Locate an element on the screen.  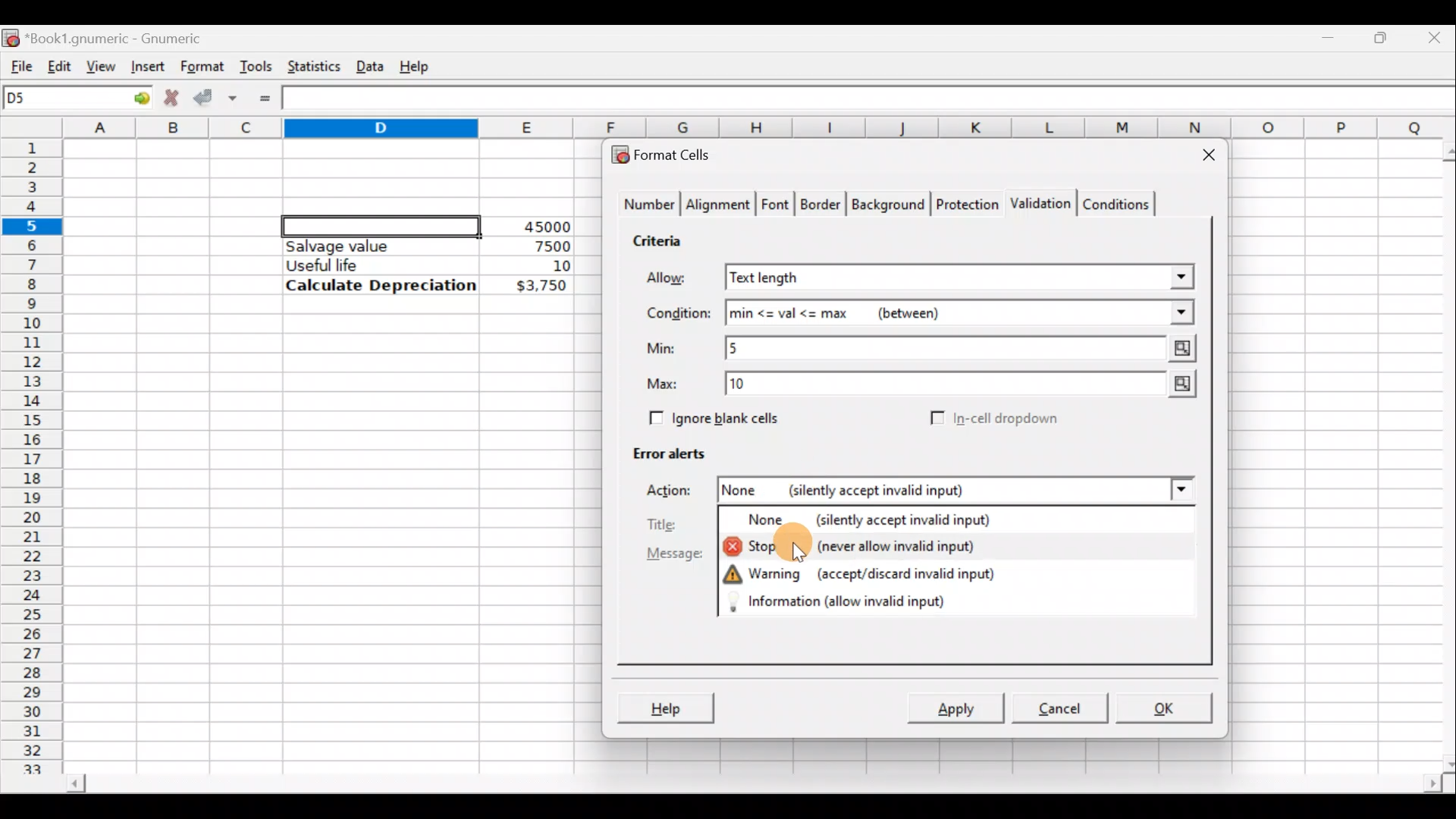
Action drop down is located at coordinates (1169, 490).